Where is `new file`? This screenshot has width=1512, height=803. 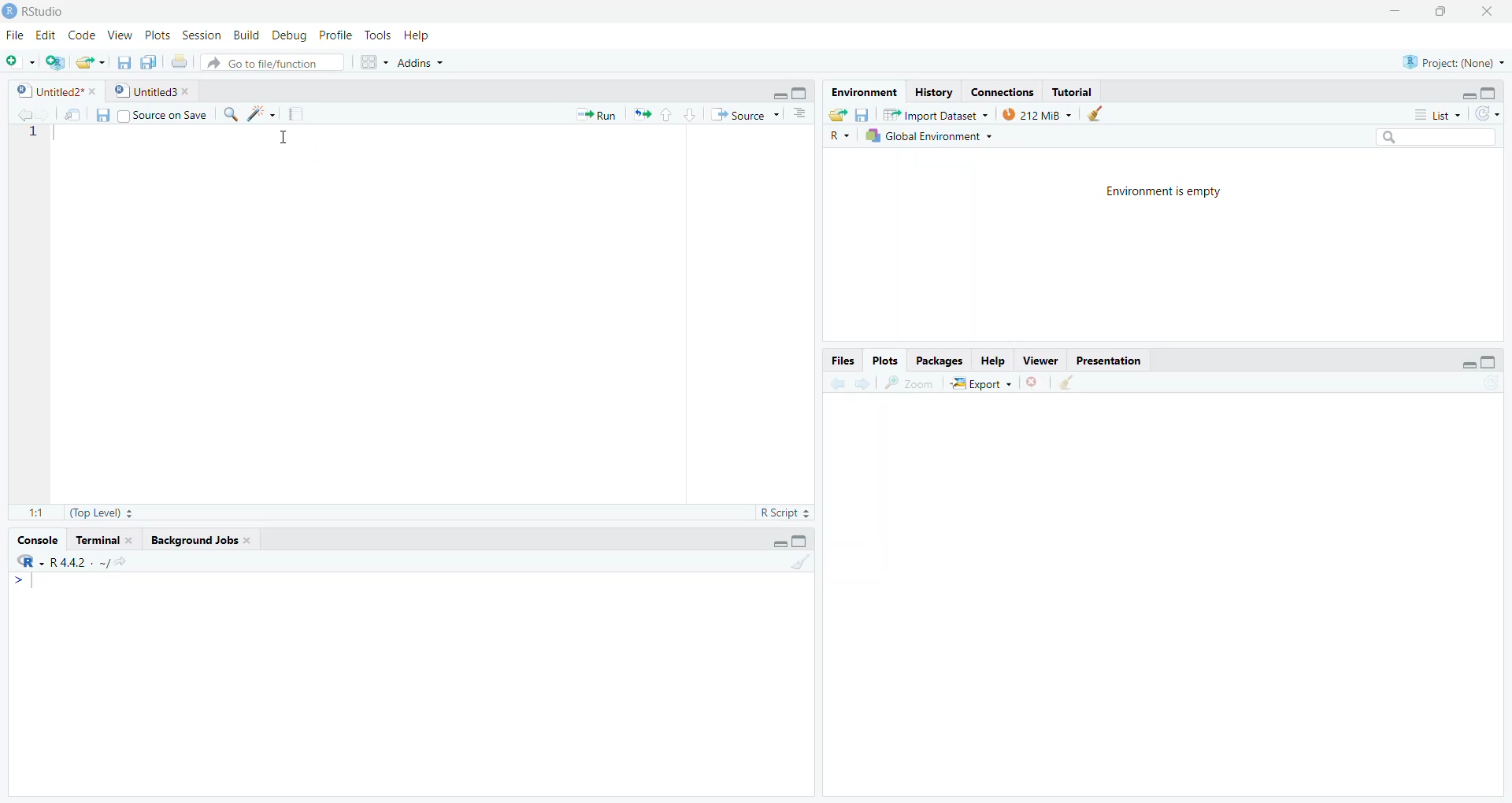 new file is located at coordinates (19, 60).